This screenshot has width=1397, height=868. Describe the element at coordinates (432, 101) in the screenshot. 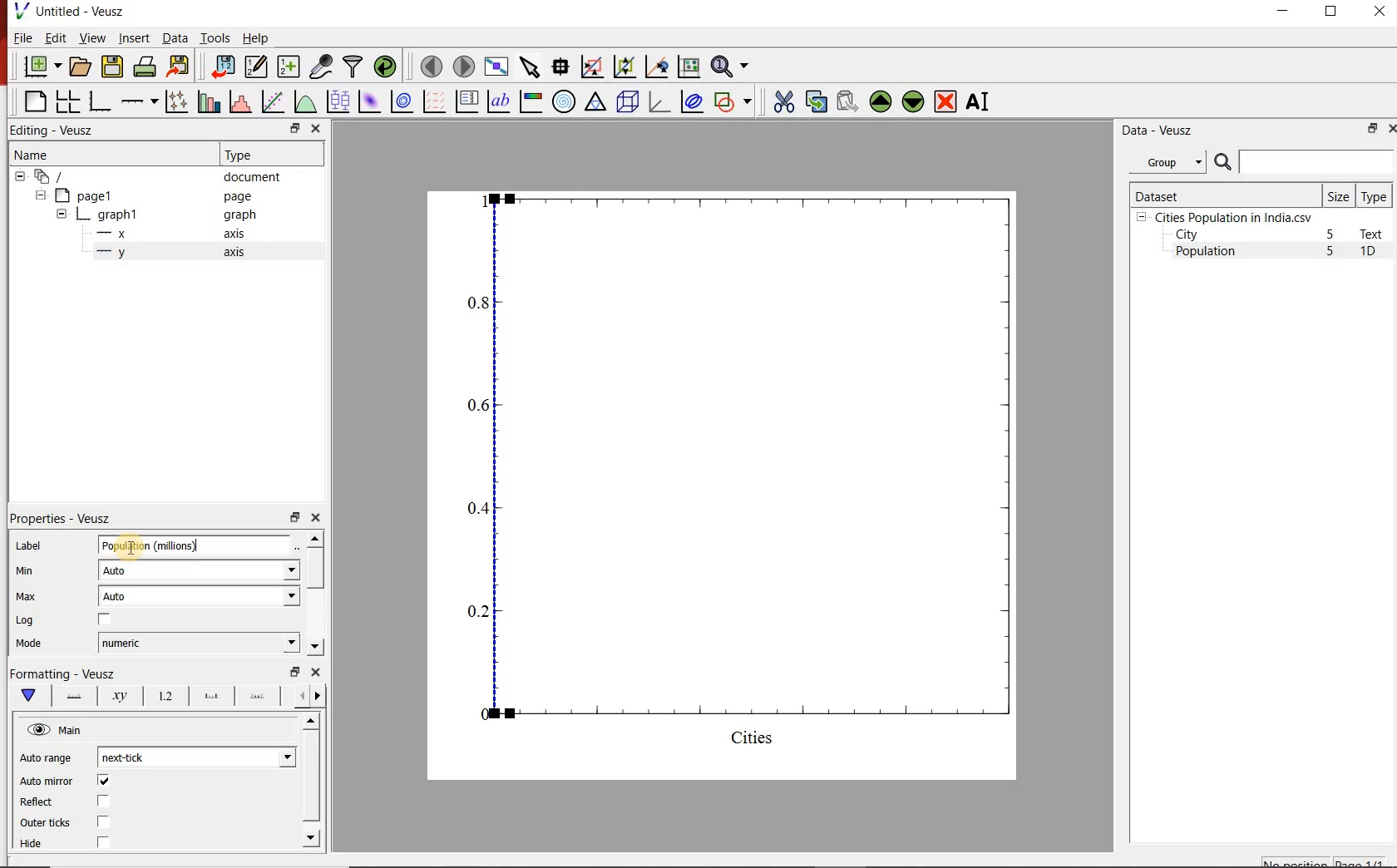

I see `plot a vector field` at that location.